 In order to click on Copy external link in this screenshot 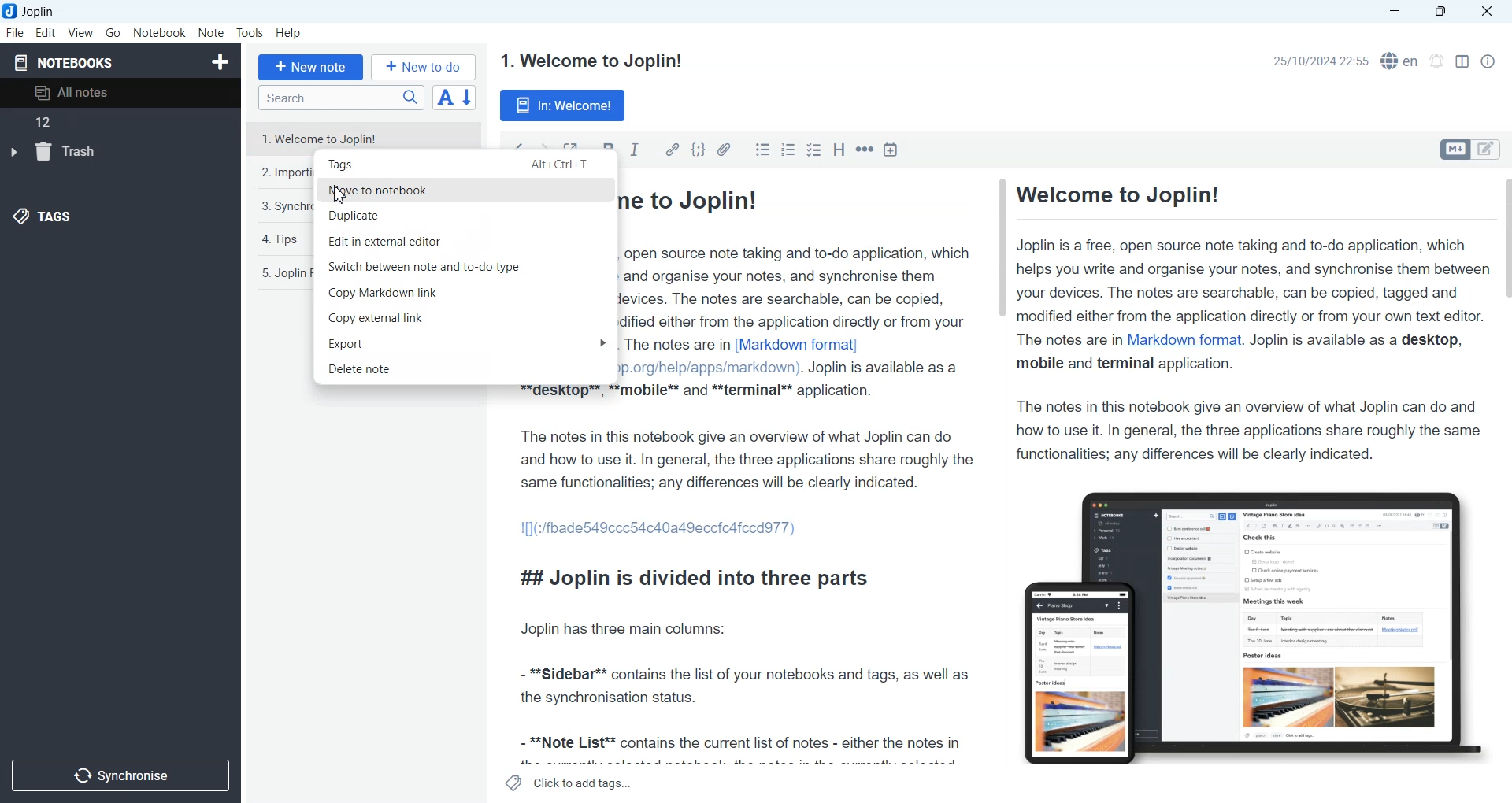, I will do `click(465, 319)`.